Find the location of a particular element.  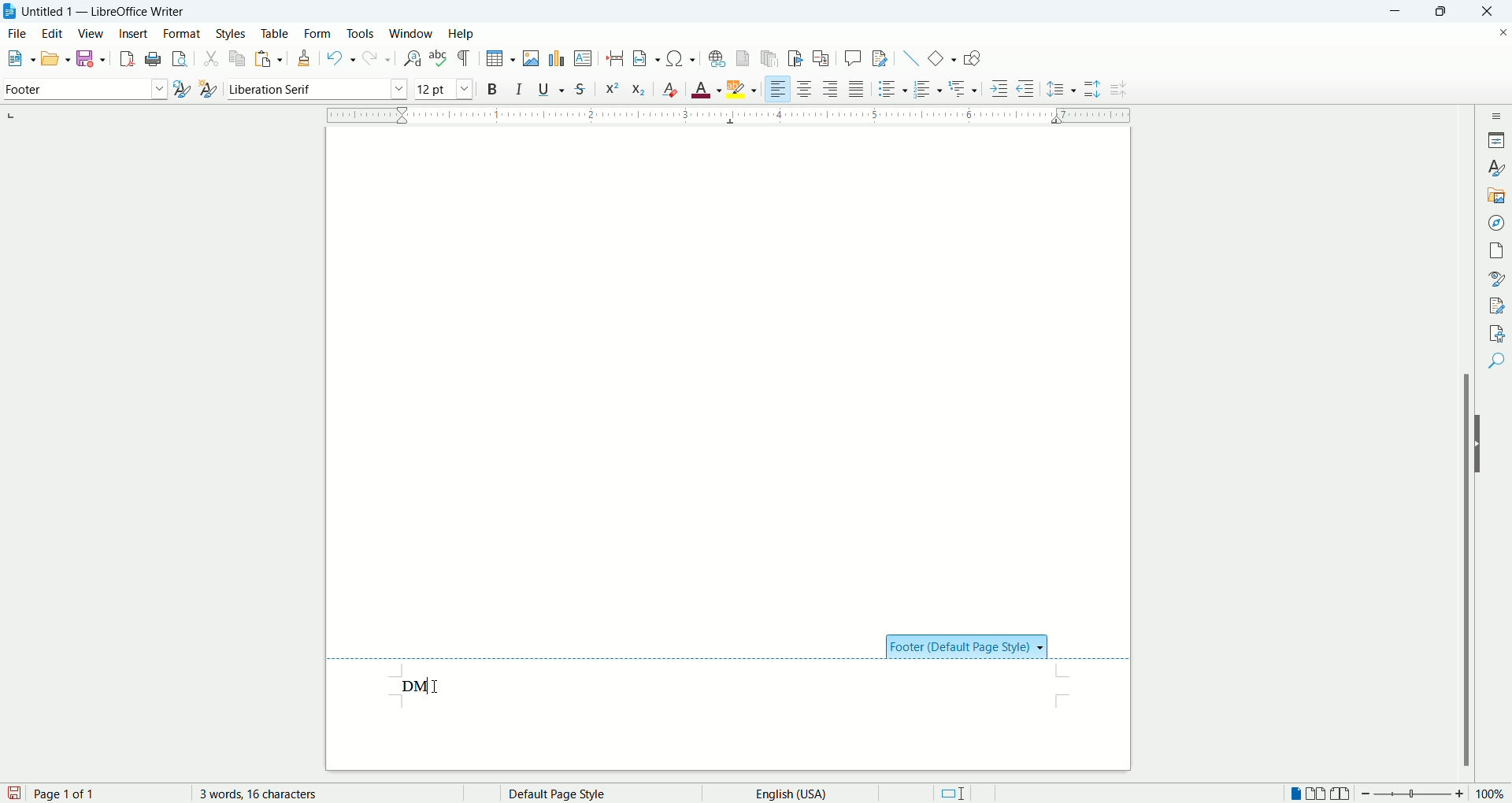

show draw functions is located at coordinates (972, 60).